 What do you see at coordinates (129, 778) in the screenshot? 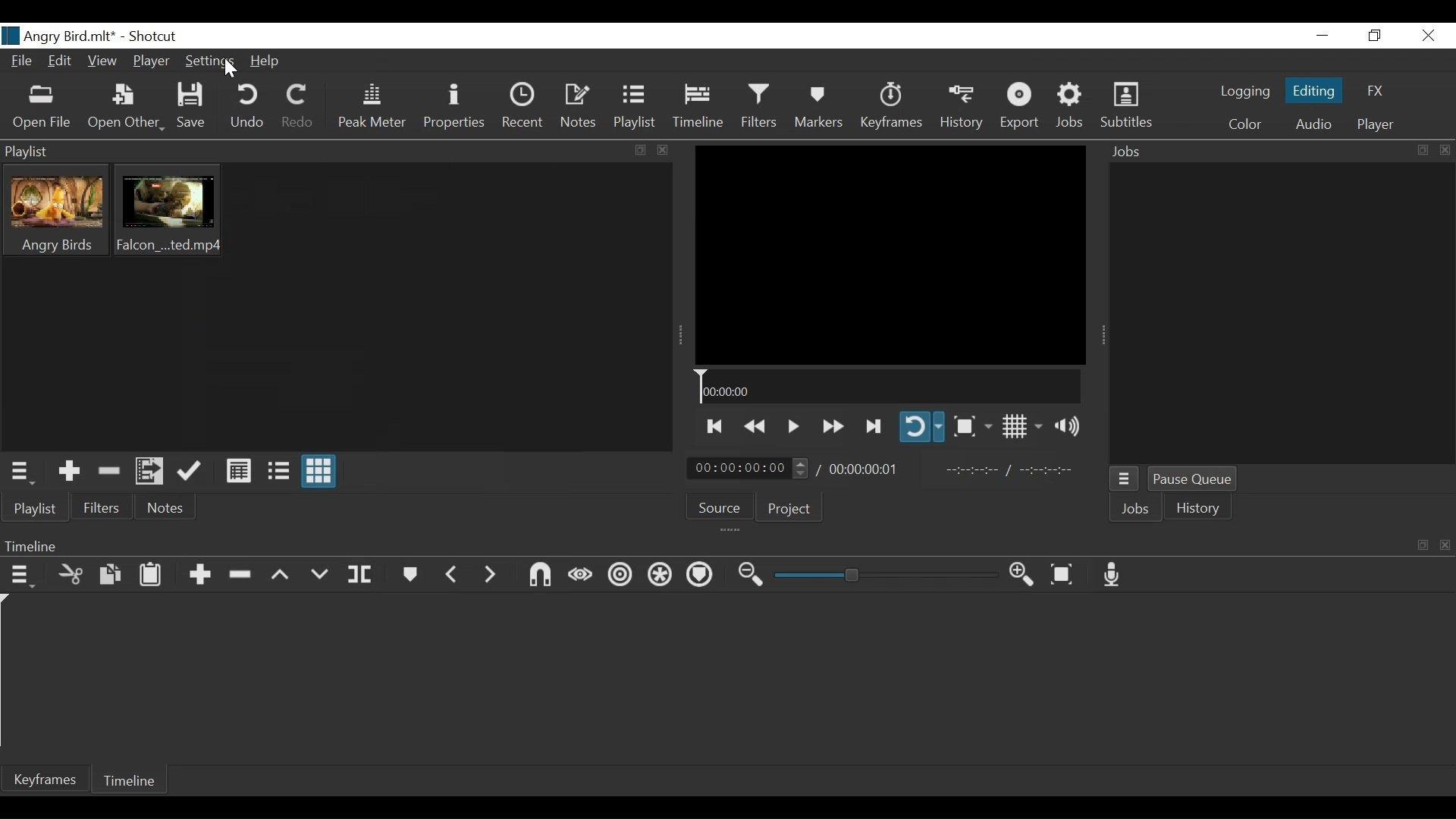
I see `Timeline` at bounding box center [129, 778].